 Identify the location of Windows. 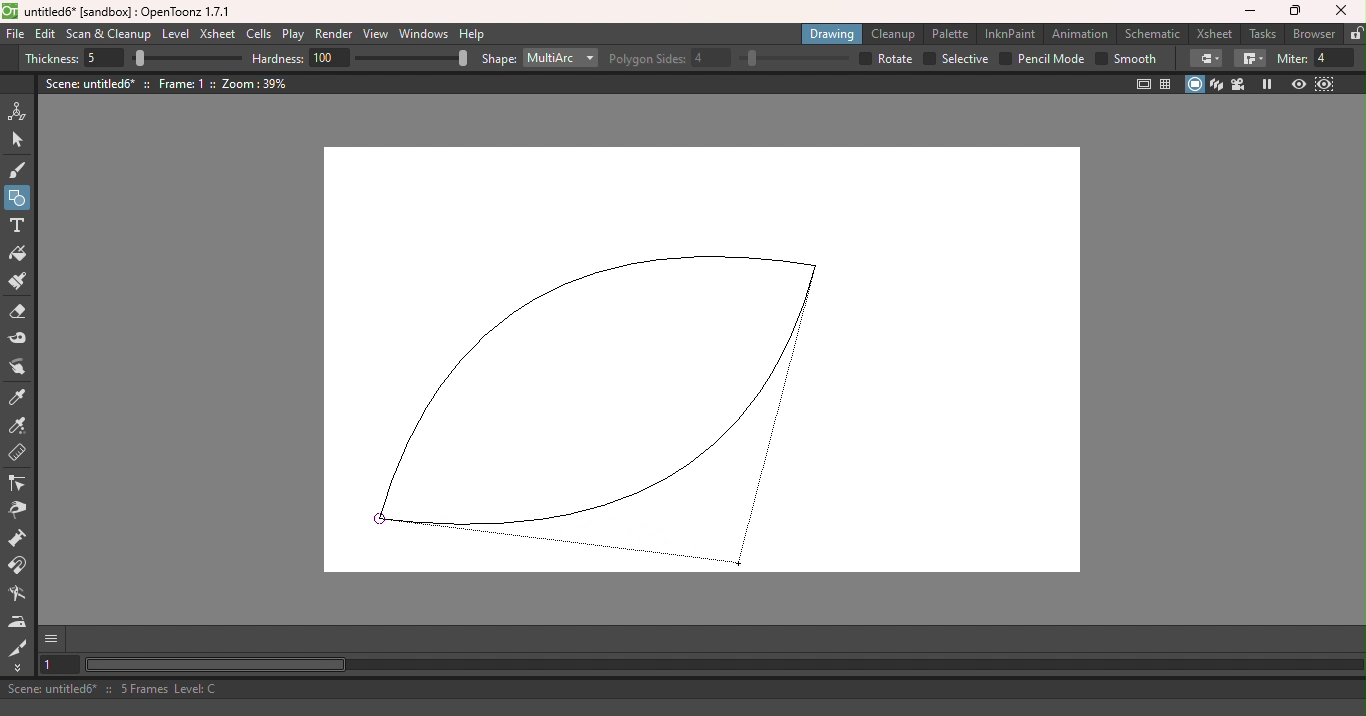
(424, 34).